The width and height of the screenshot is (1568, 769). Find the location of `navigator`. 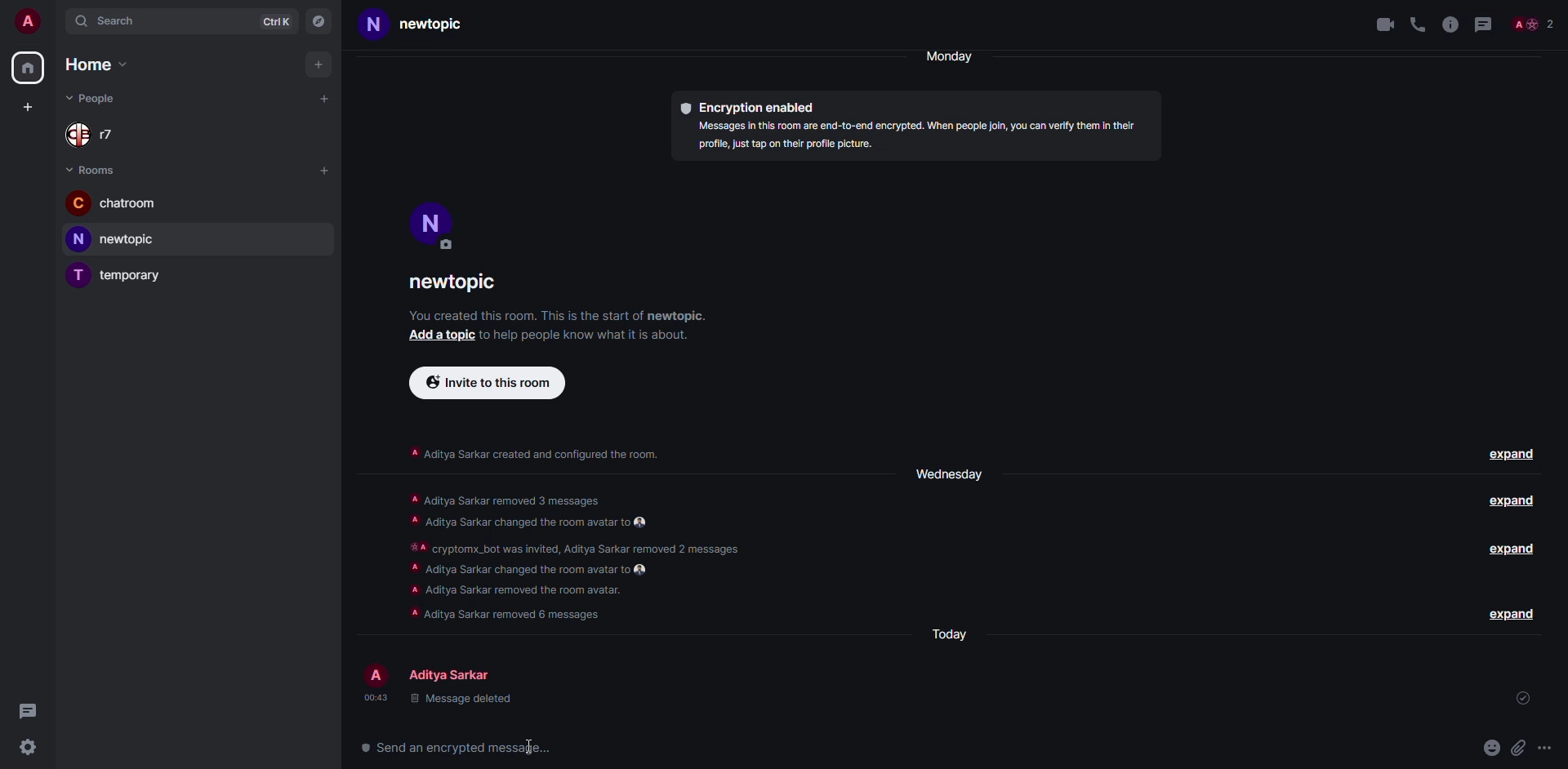

navigator is located at coordinates (320, 21).